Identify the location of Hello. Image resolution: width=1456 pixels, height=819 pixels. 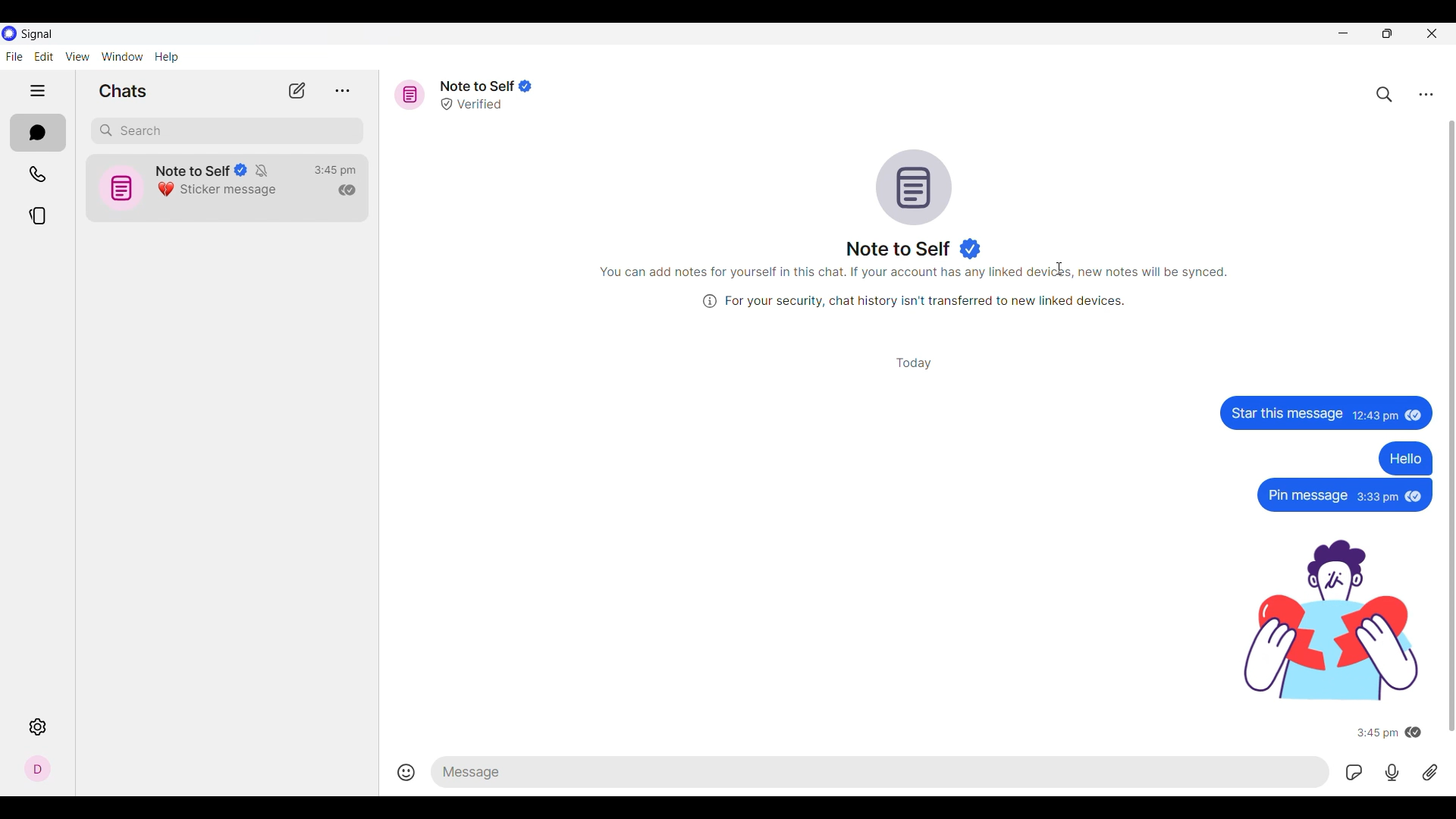
(1407, 458).